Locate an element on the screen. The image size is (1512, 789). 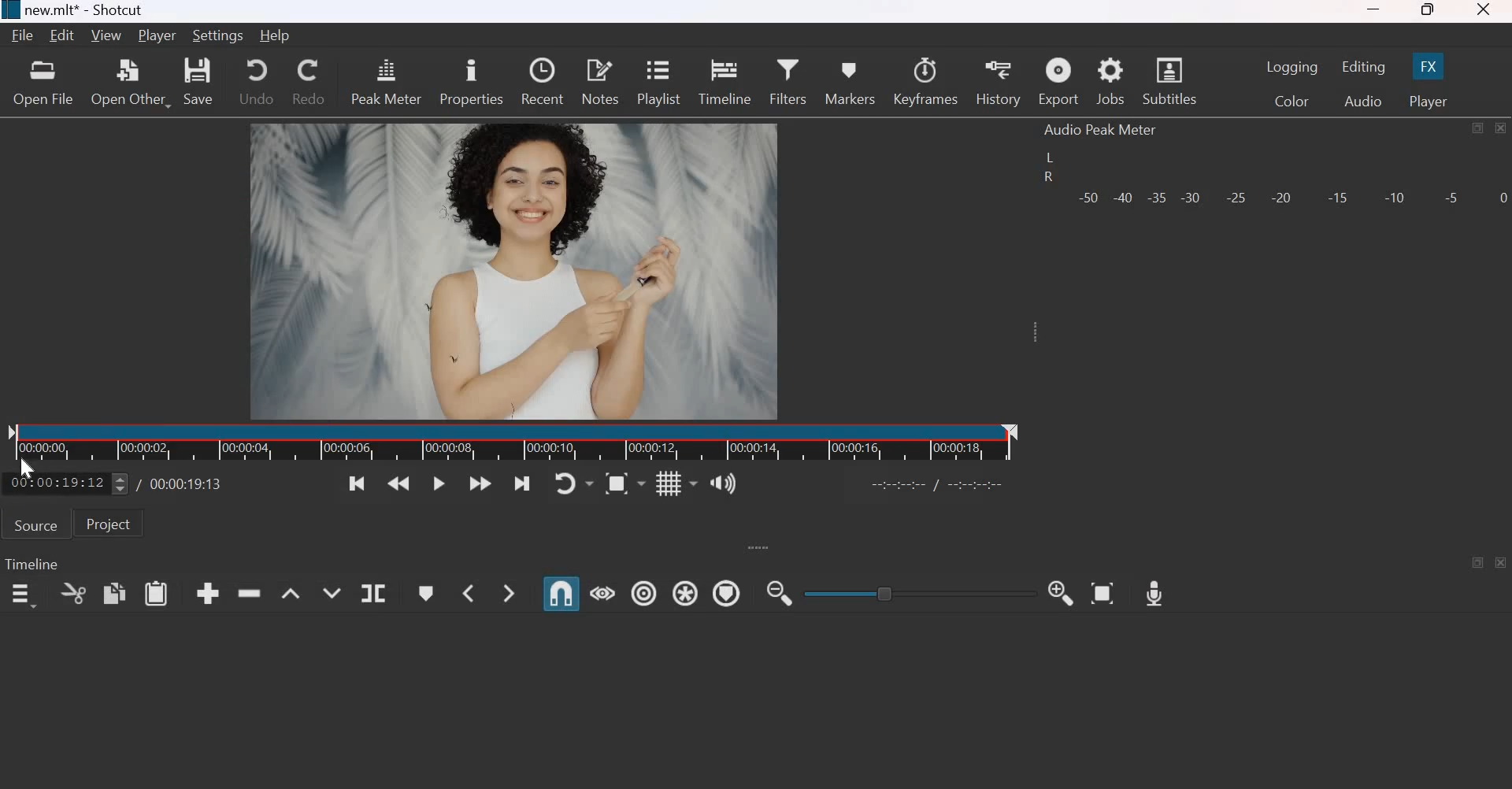
Ripple is located at coordinates (644, 591).